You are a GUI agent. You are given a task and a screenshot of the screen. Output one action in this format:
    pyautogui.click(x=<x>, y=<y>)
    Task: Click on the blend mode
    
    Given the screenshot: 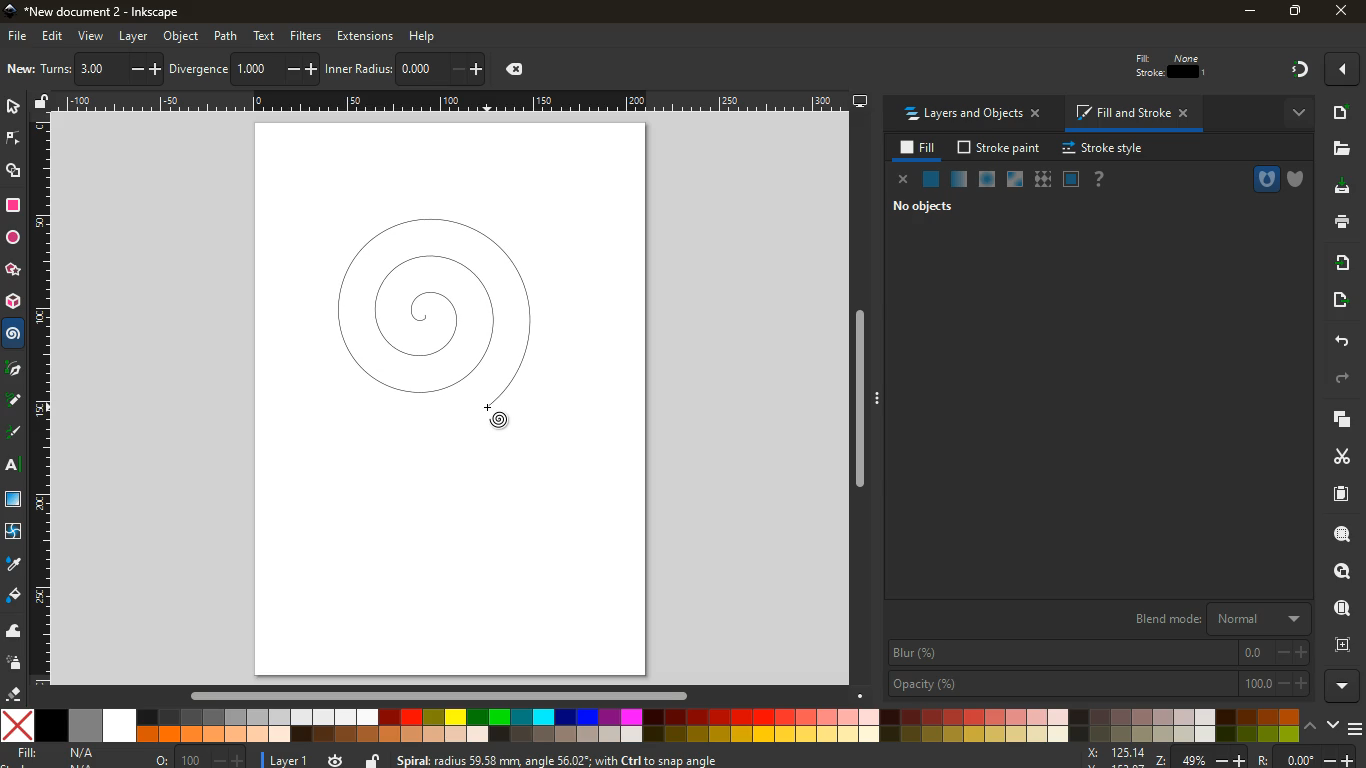 What is the action you would take?
    pyautogui.click(x=1211, y=620)
    